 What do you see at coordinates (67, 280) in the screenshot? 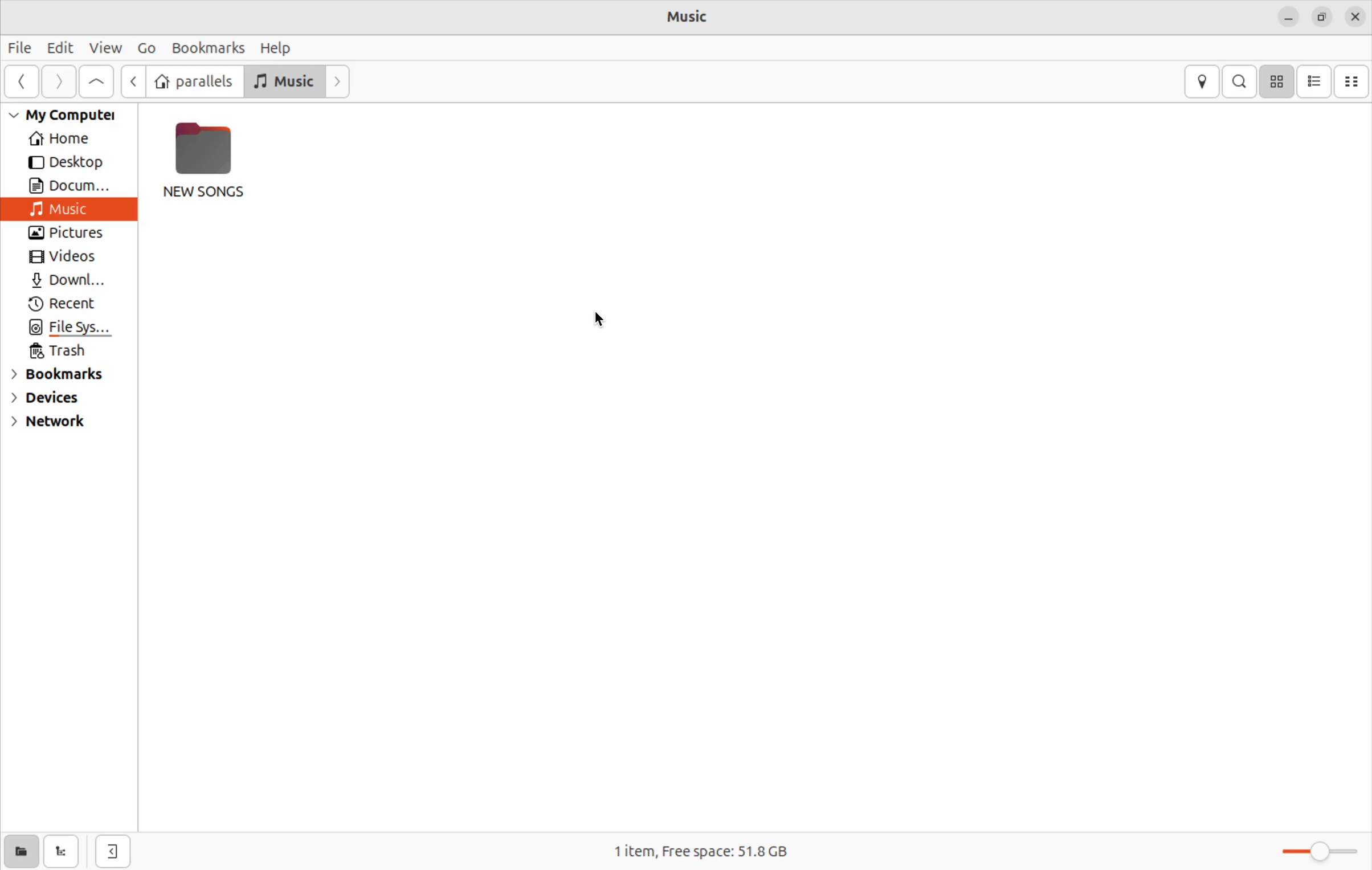
I see `Downloads` at bounding box center [67, 280].